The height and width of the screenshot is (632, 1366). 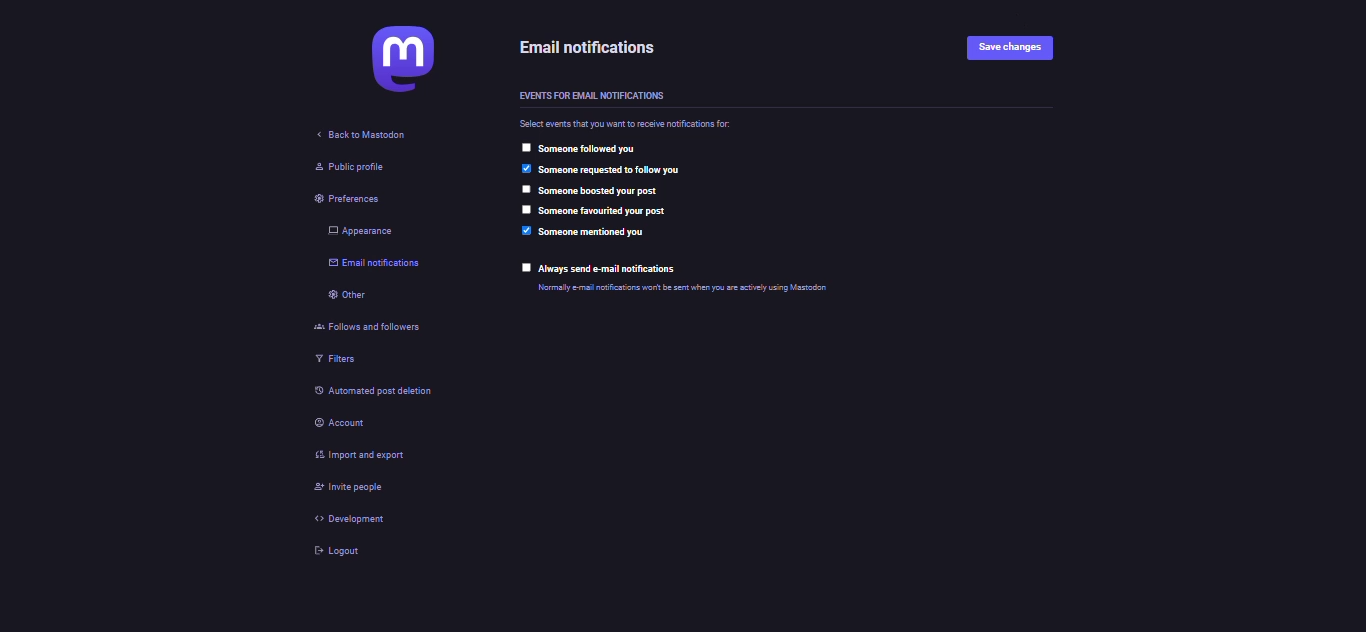 I want to click on click to enable, so click(x=525, y=189).